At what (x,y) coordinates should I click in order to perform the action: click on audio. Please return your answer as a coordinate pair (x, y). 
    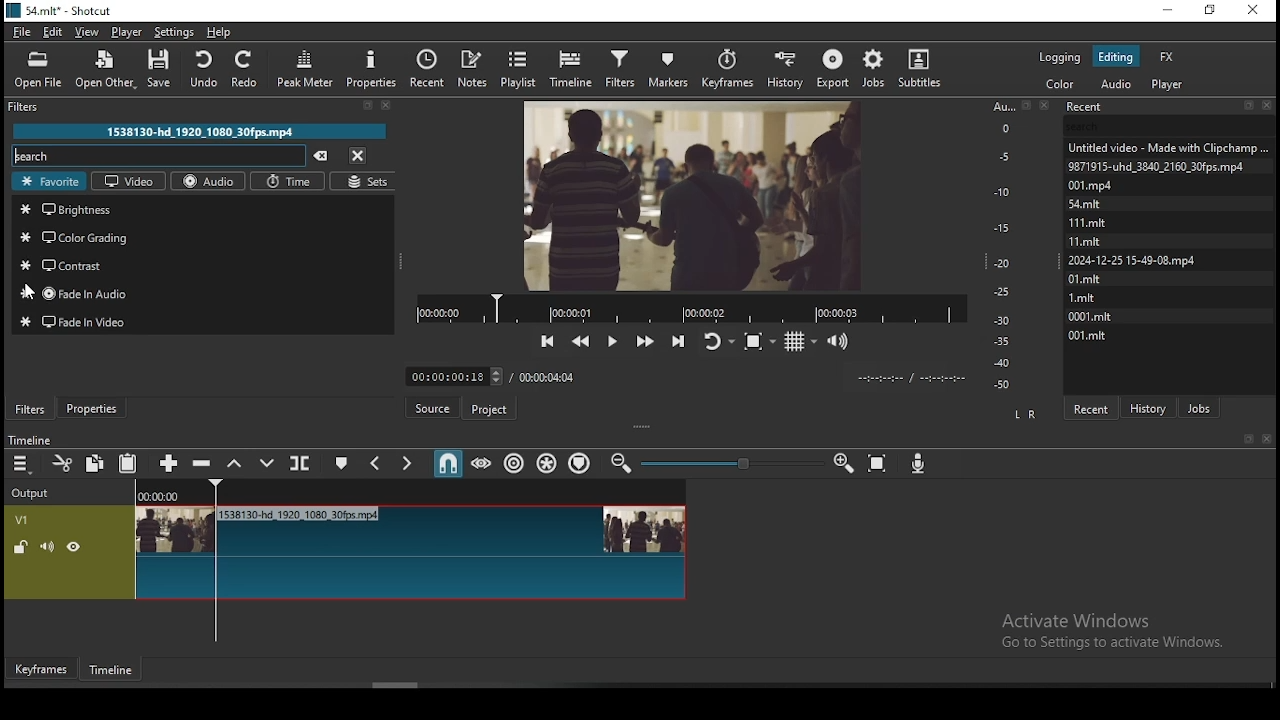
    Looking at the image, I should click on (1118, 87).